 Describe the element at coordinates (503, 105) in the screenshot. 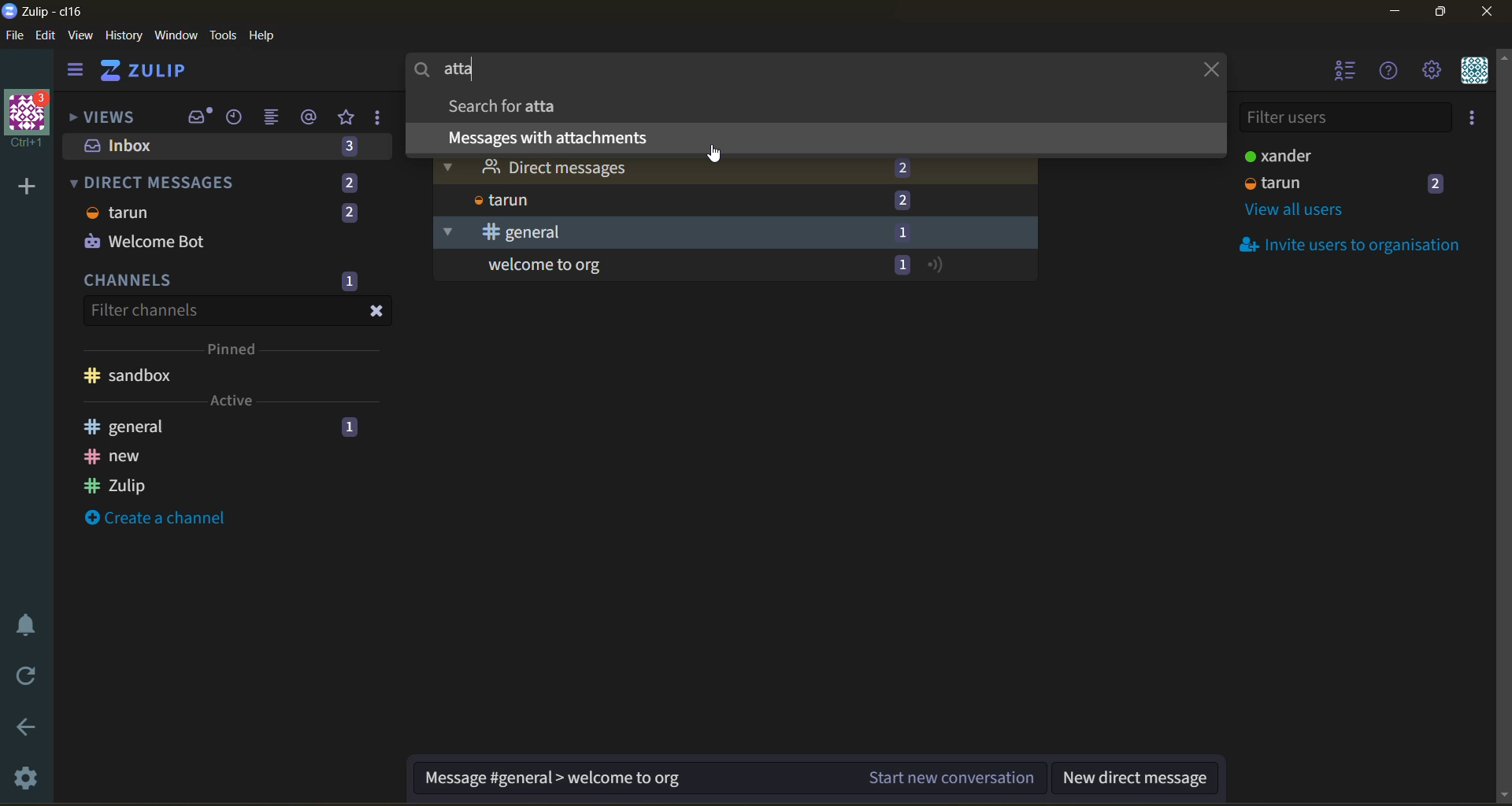

I see `Search for atta` at that location.